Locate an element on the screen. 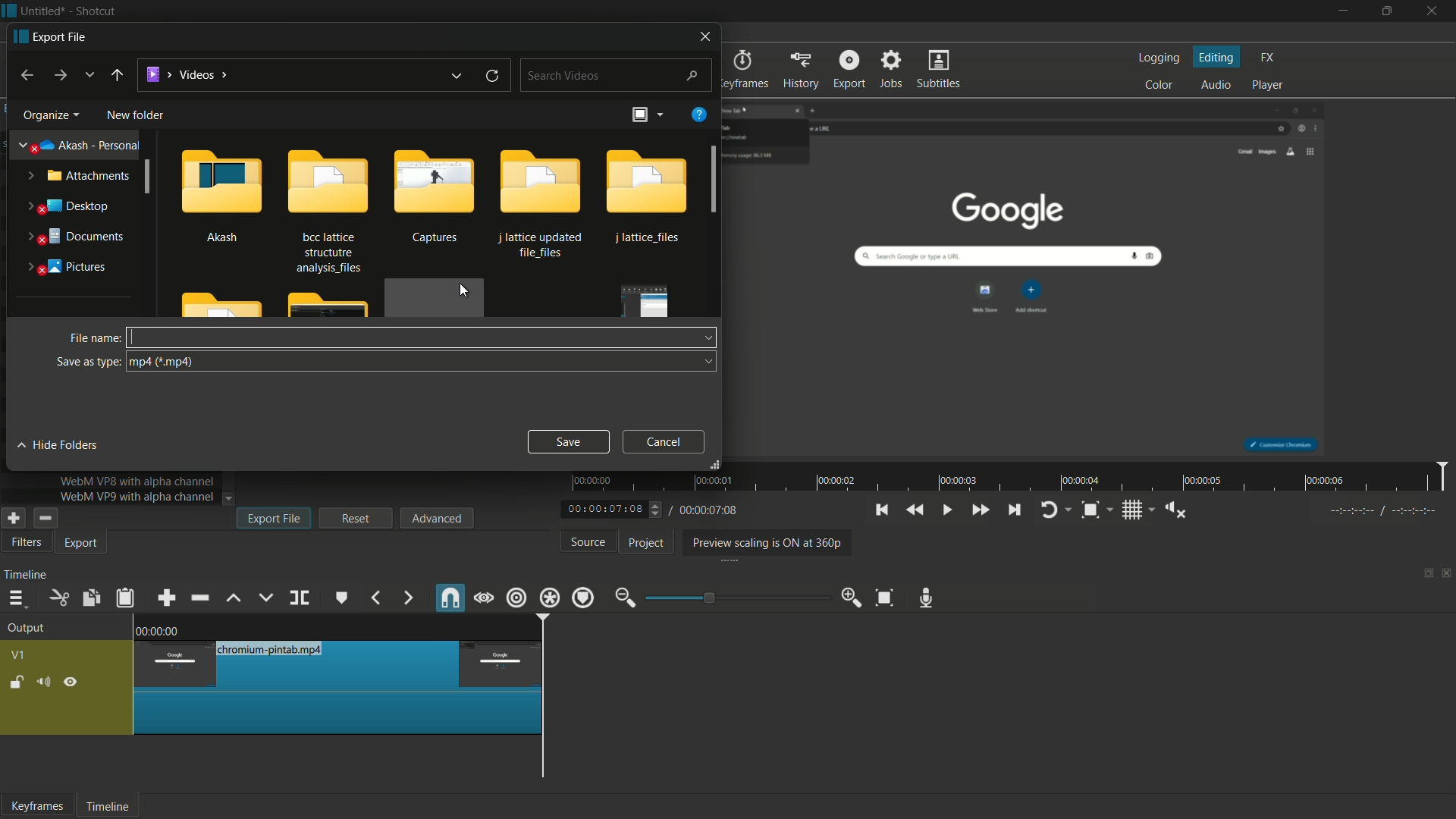 This screenshot has width=1456, height=819. audio is located at coordinates (1216, 86).